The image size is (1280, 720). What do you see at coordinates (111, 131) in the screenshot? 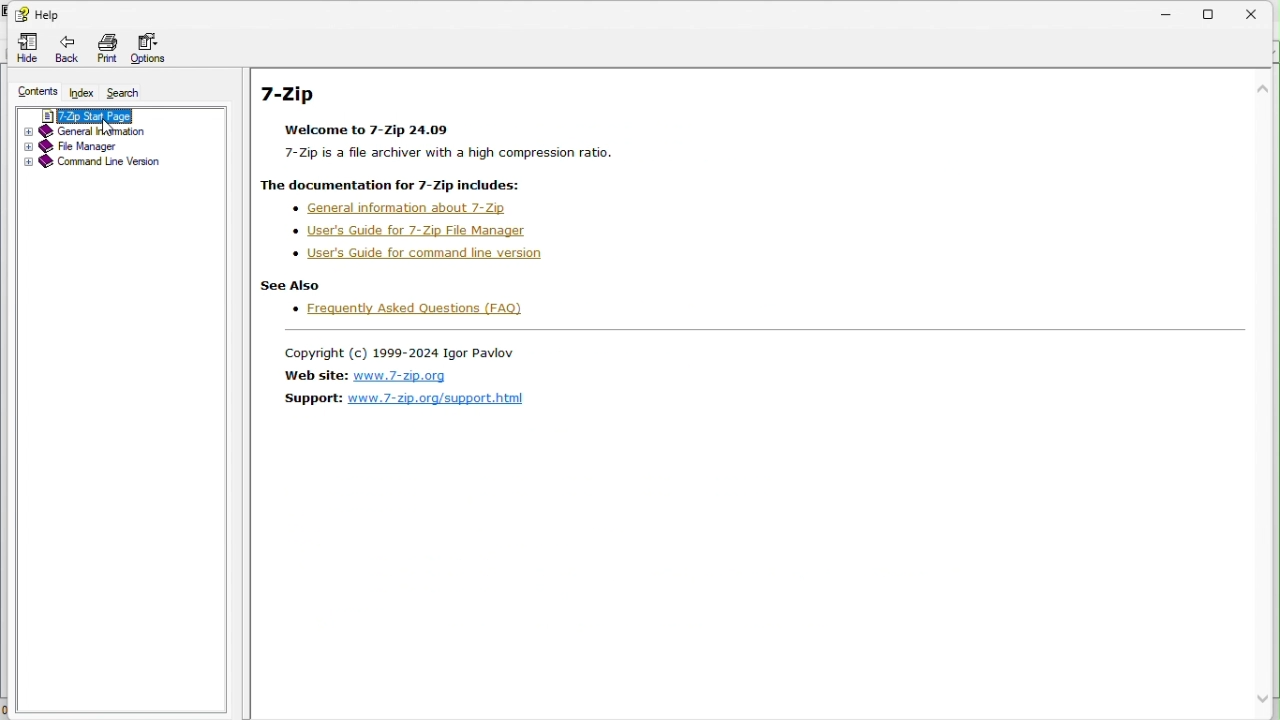
I see `General information` at bounding box center [111, 131].